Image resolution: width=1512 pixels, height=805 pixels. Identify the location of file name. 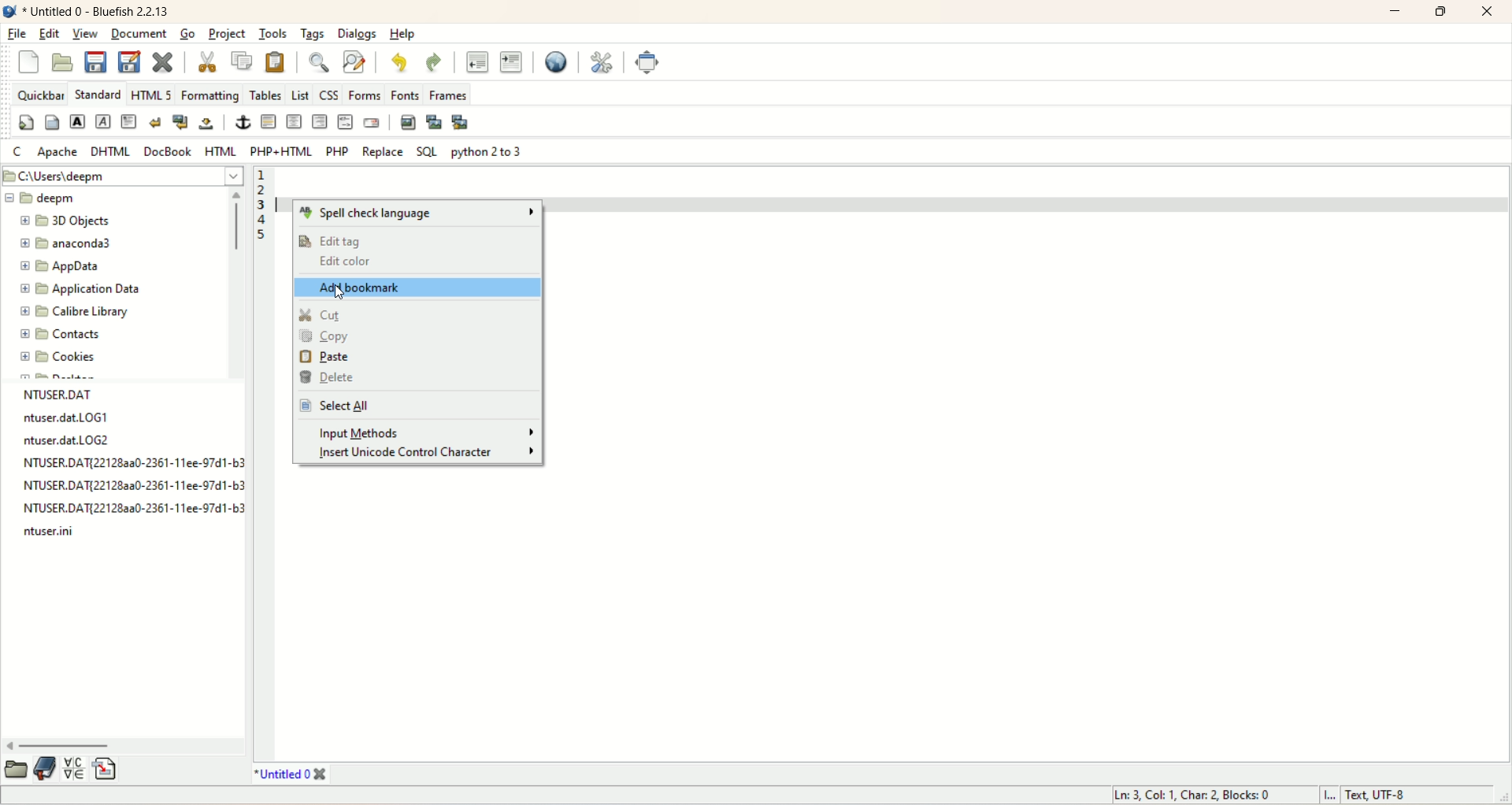
(74, 417).